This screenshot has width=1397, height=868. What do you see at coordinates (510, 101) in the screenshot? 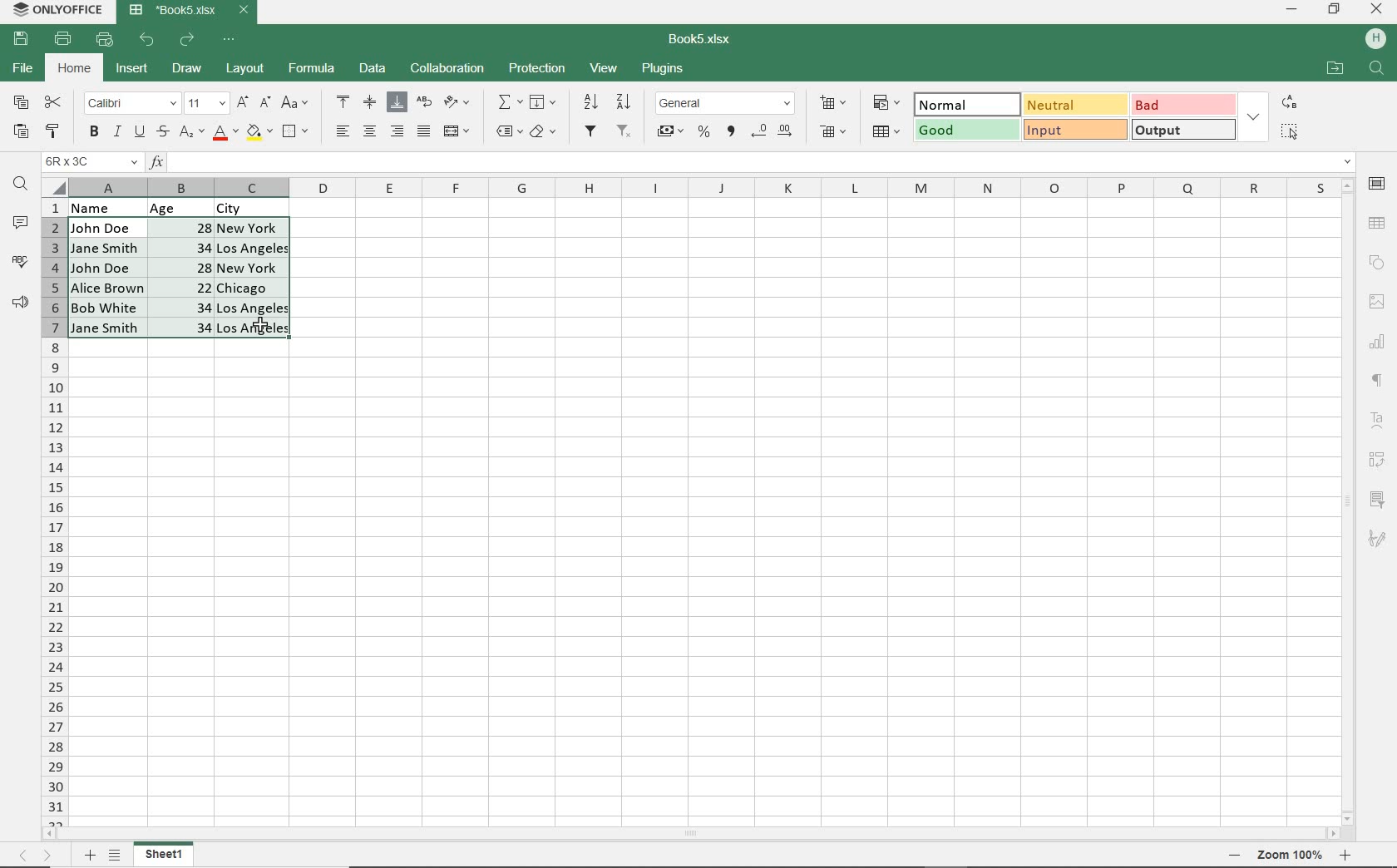
I see `INSERT FUNCTION` at bounding box center [510, 101].